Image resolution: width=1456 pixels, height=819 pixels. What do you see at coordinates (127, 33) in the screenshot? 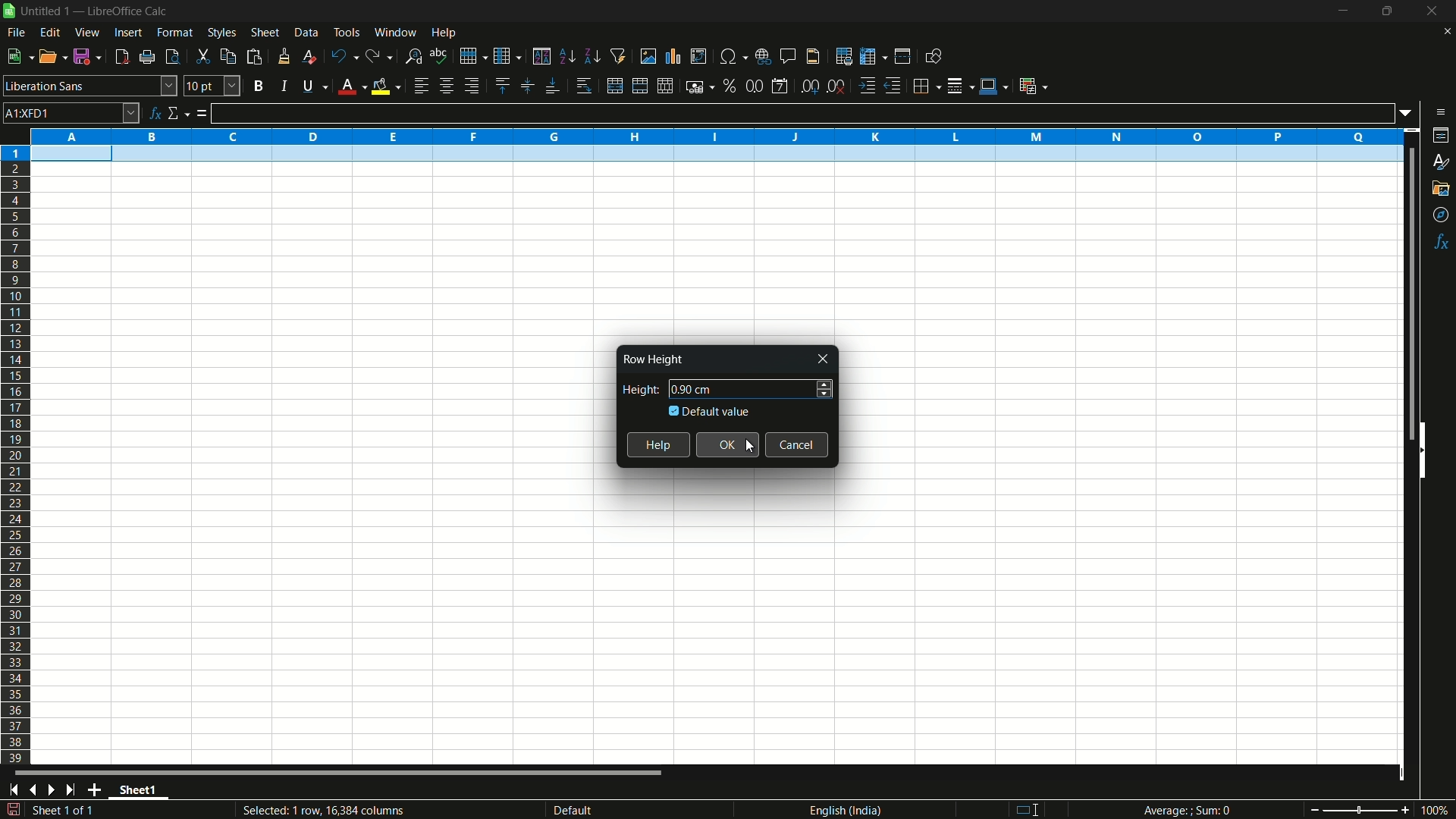
I see `insert menu` at bounding box center [127, 33].